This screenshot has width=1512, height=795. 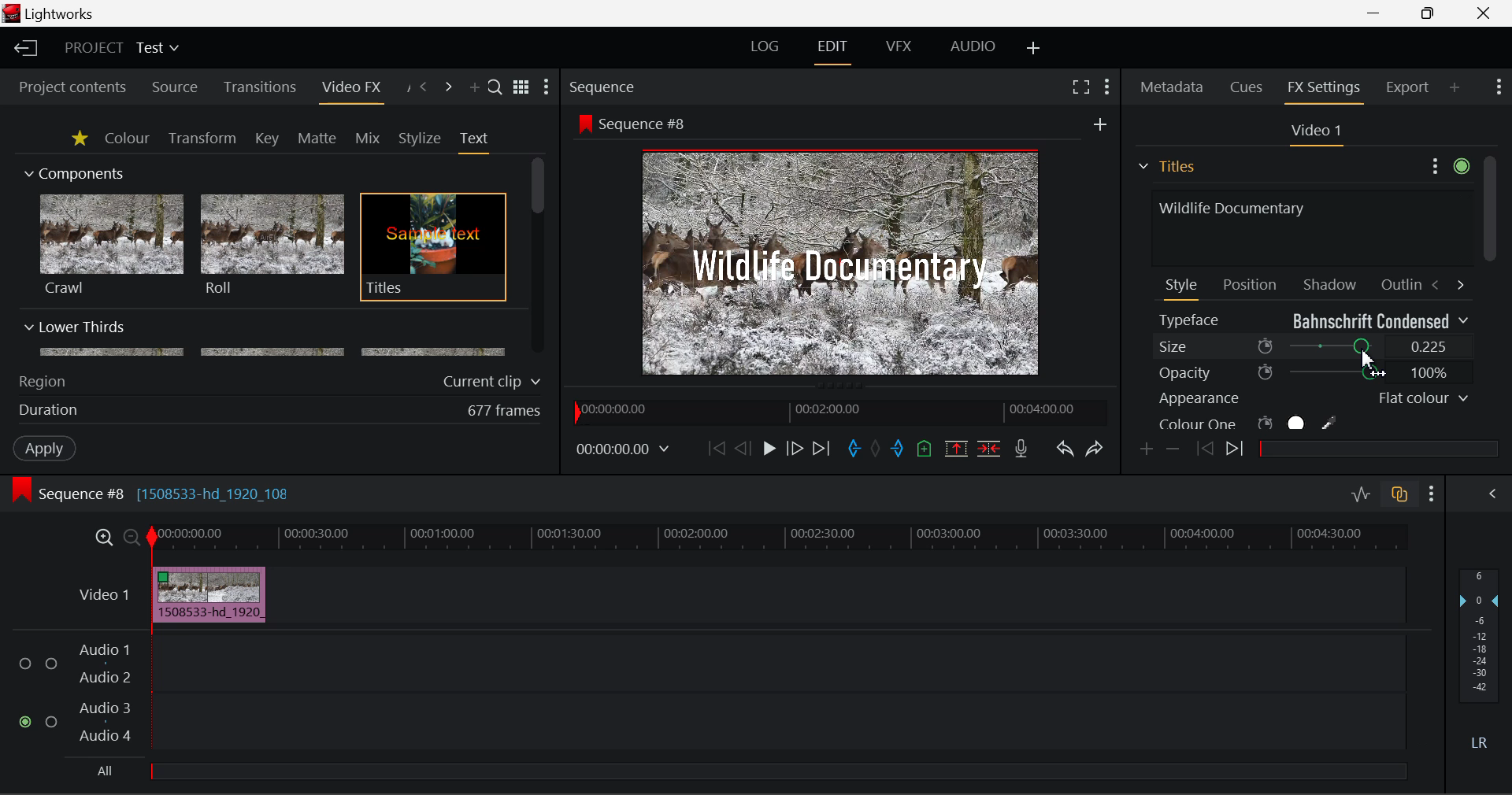 I want to click on Next keyframe, so click(x=1237, y=451).